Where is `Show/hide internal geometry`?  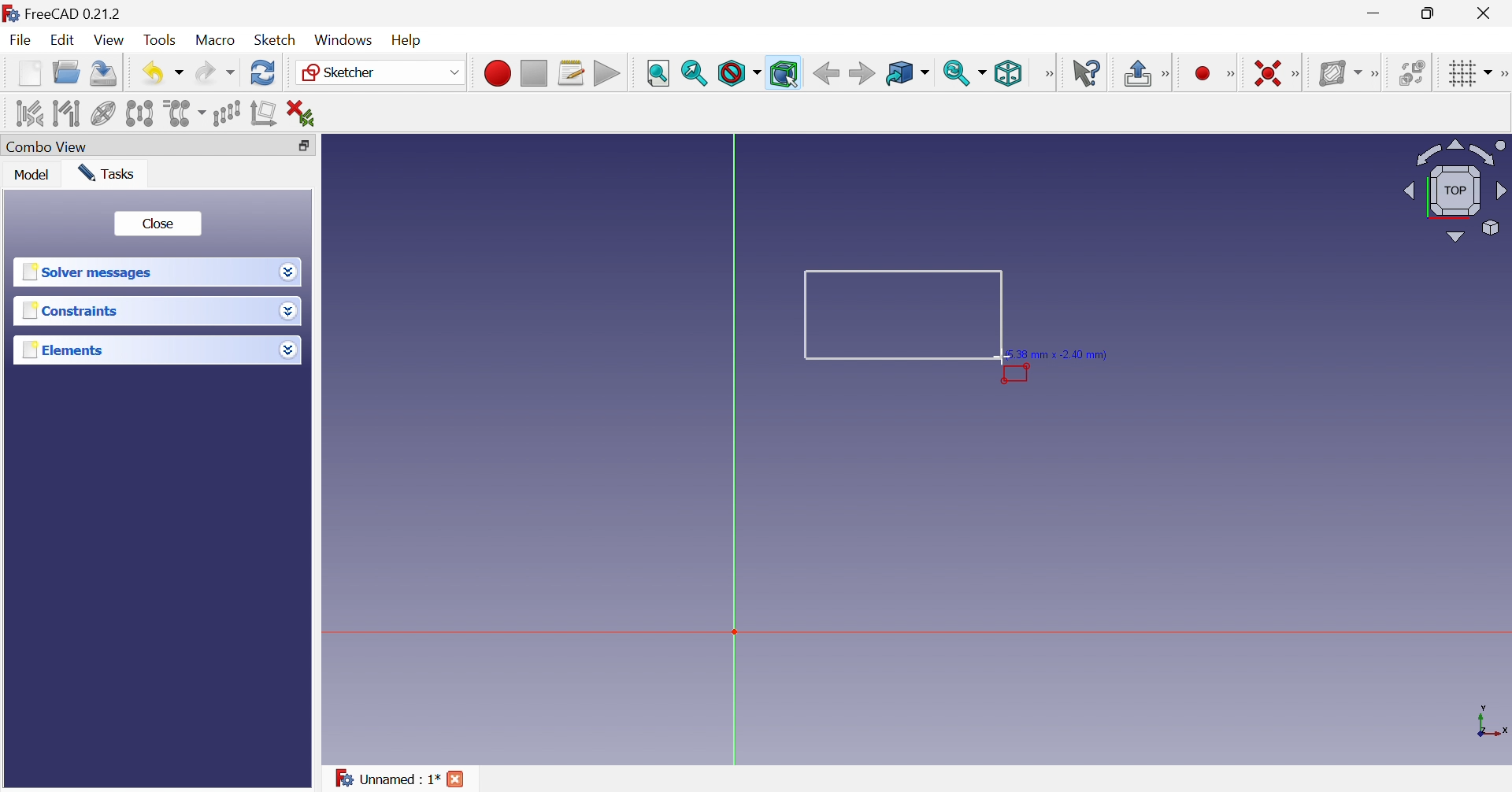
Show/hide internal geometry is located at coordinates (103, 113).